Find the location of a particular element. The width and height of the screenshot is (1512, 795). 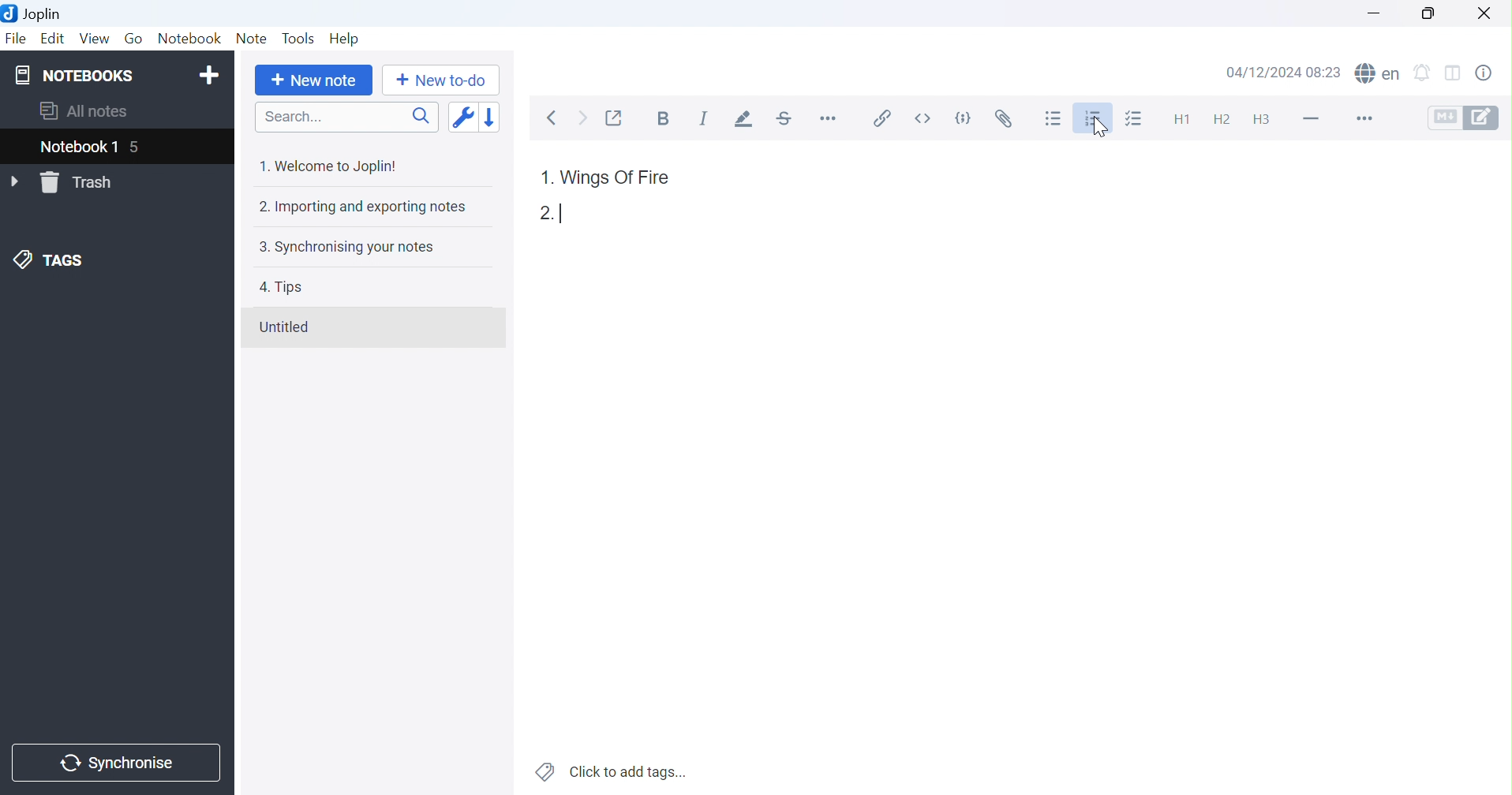

Note is located at coordinates (254, 36).